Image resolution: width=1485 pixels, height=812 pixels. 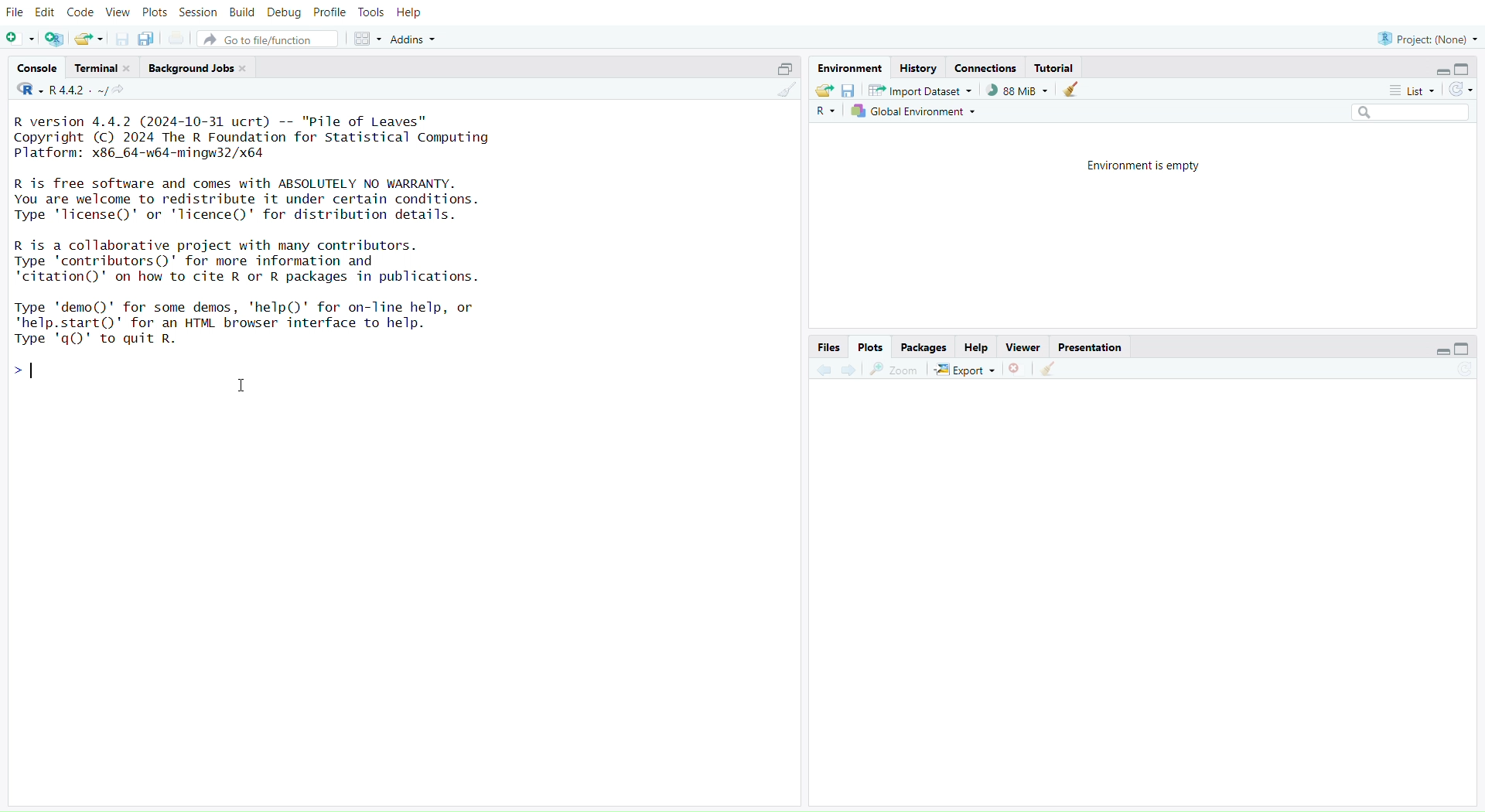 What do you see at coordinates (852, 370) in the screenshot?
I see `forward` at bounding box center [852, 370].